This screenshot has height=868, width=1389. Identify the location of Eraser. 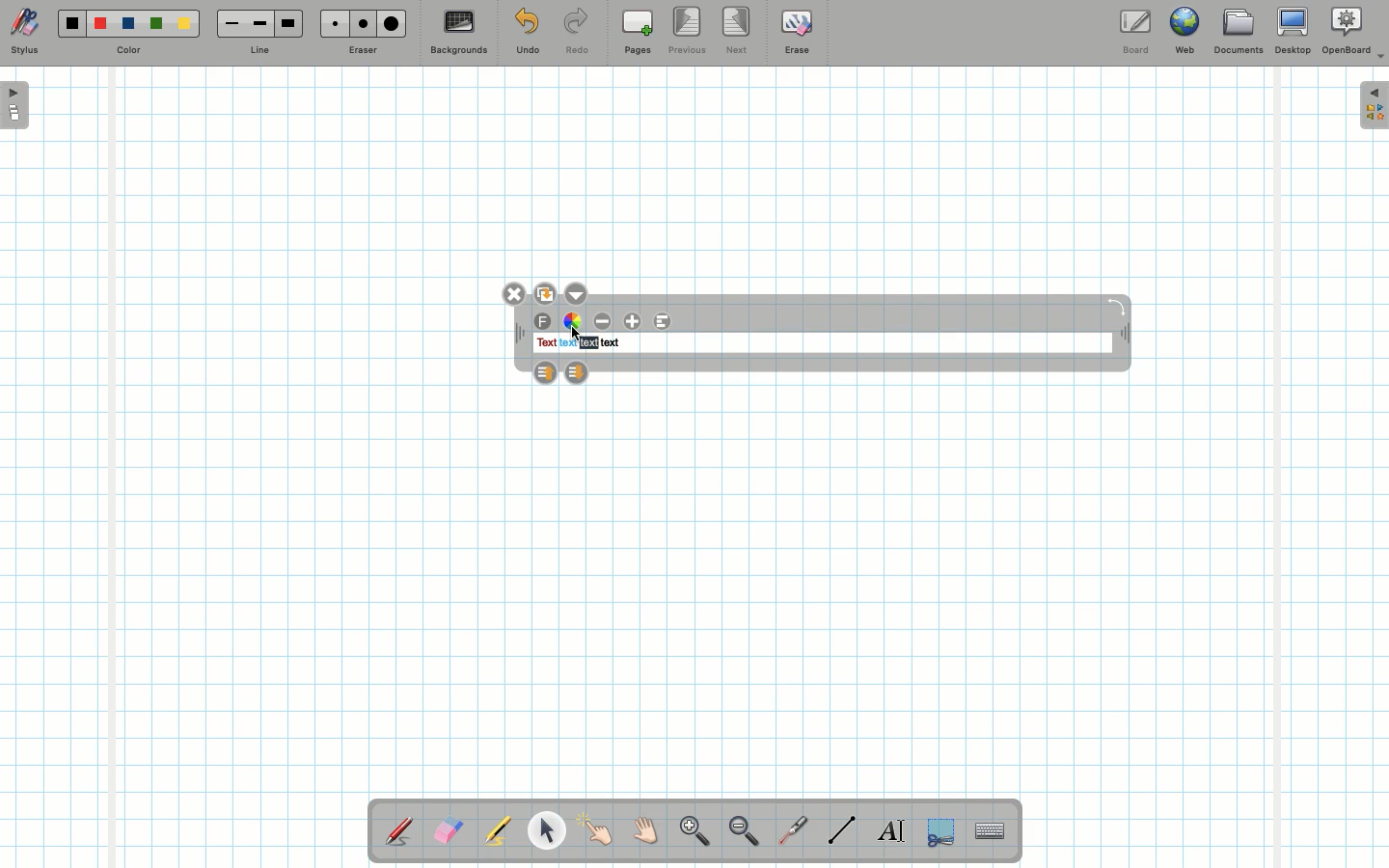
(448, 832).